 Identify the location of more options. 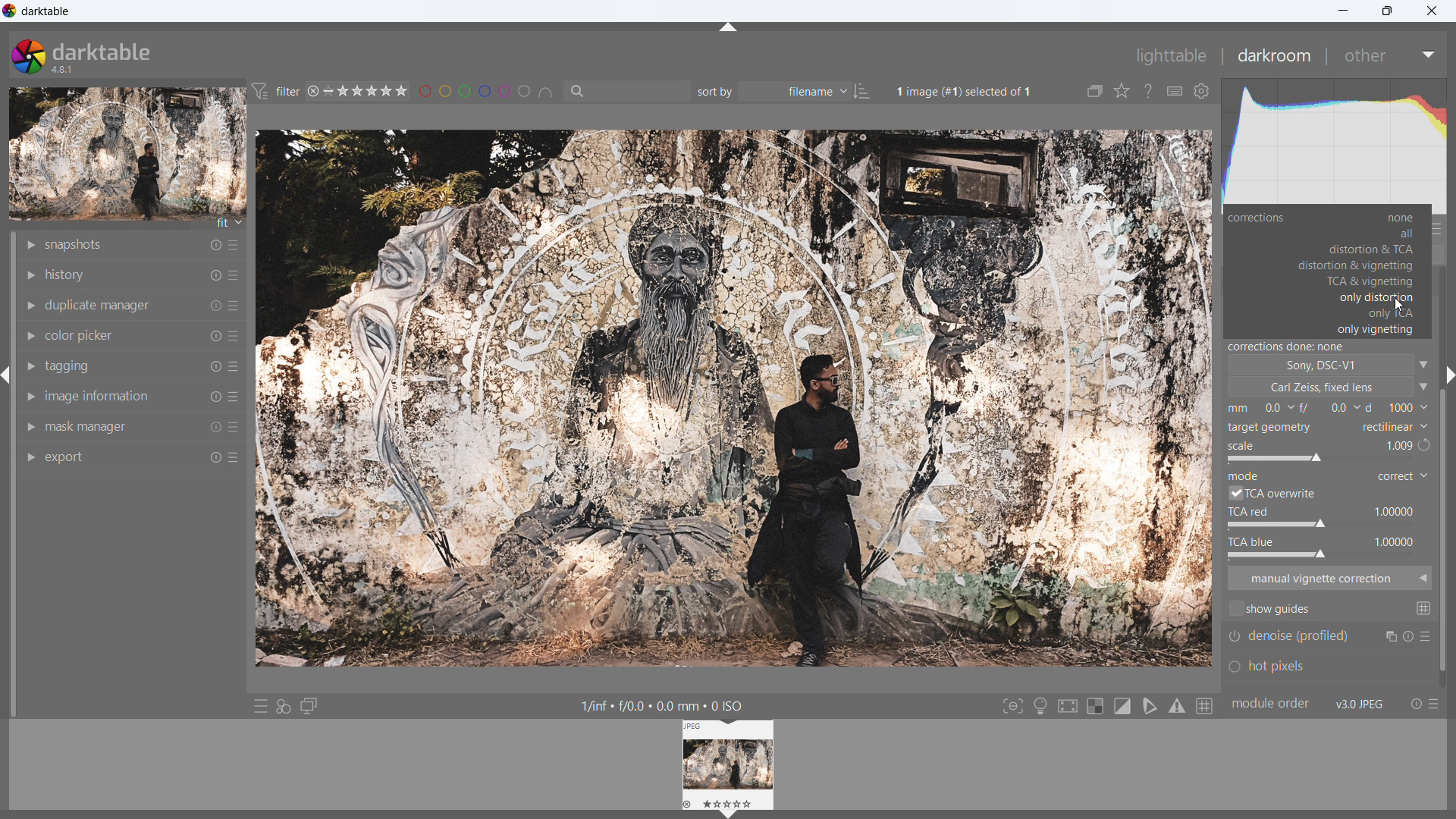
(235, 428).